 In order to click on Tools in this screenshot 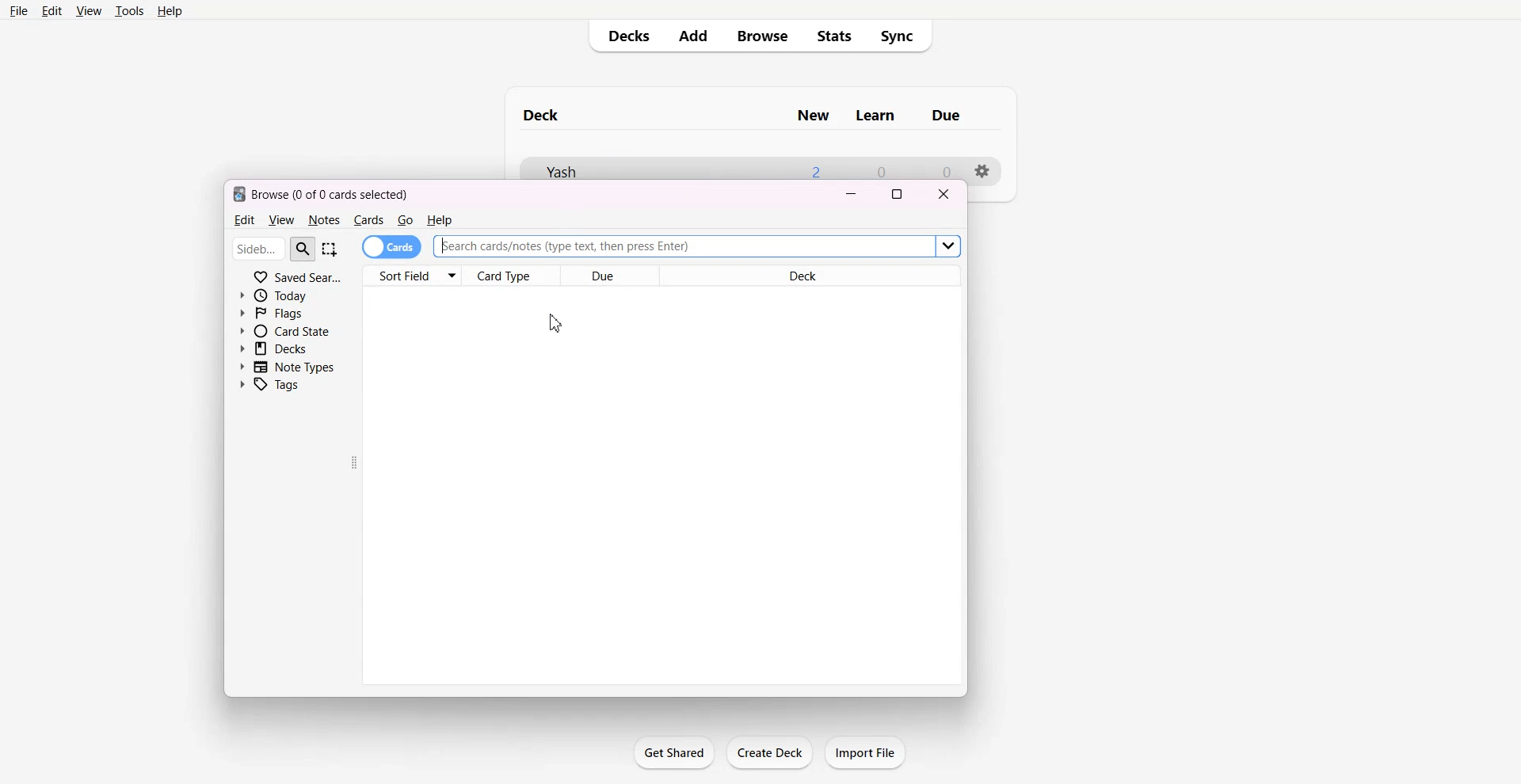, I will do `click(128, 10)`.